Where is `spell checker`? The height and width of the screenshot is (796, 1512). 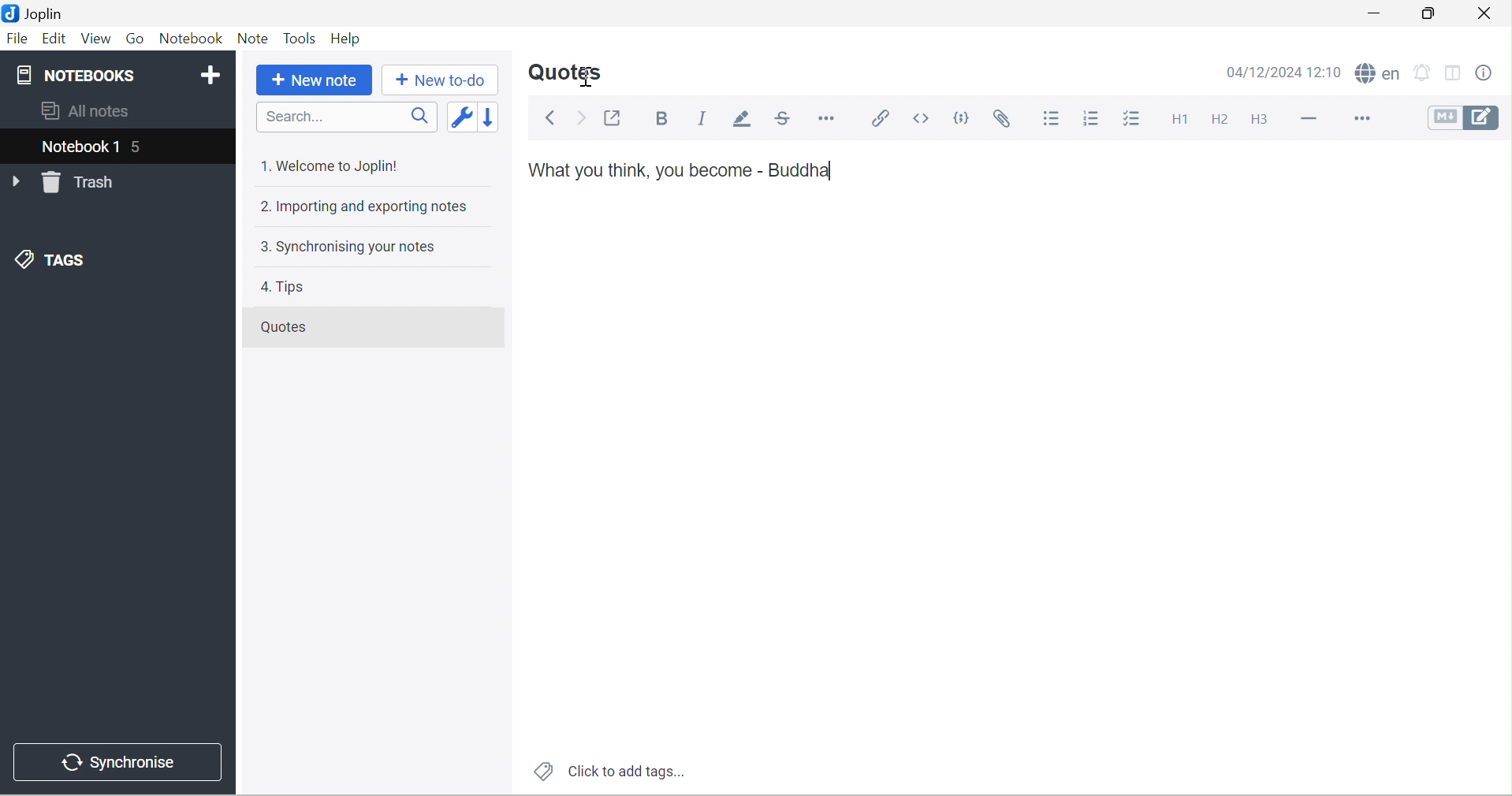
spell checker is located at coordinates (1376, 73).